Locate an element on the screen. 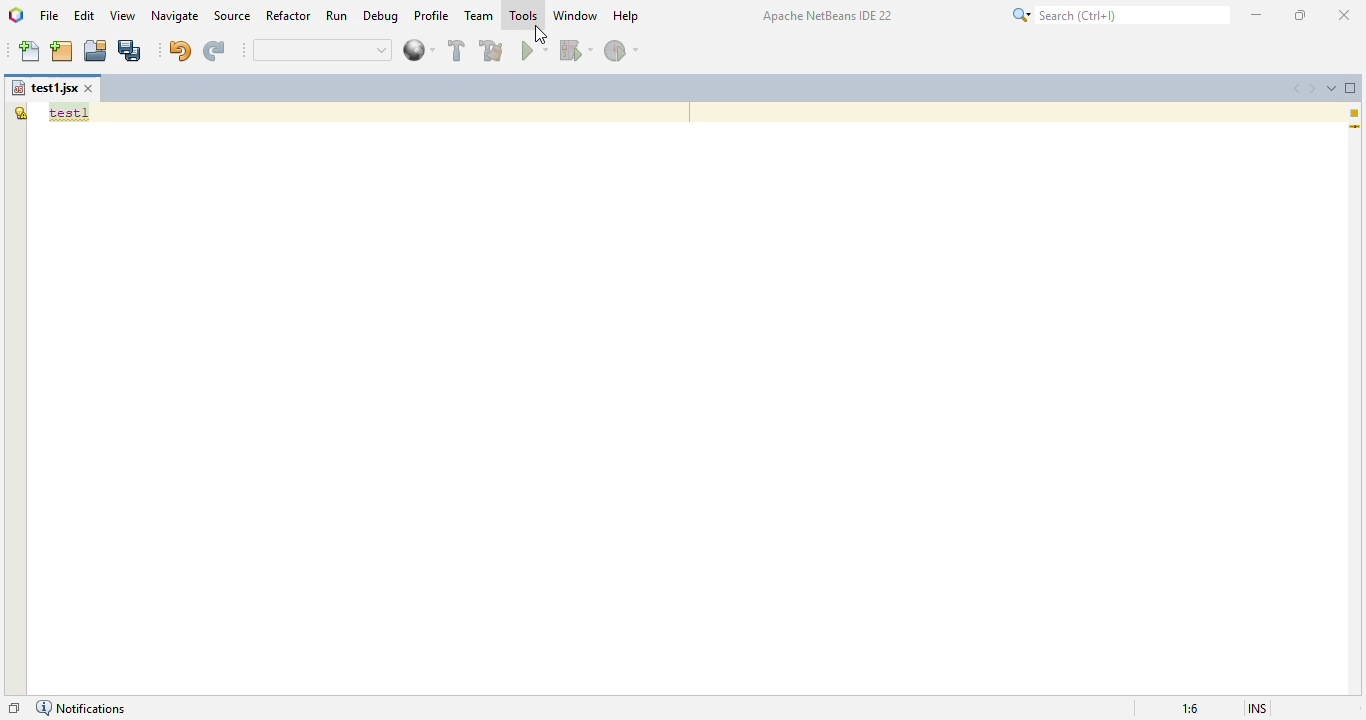 The width and height of the screenshot is (1366, 720). minimize is located at coordinates (1257, 14).